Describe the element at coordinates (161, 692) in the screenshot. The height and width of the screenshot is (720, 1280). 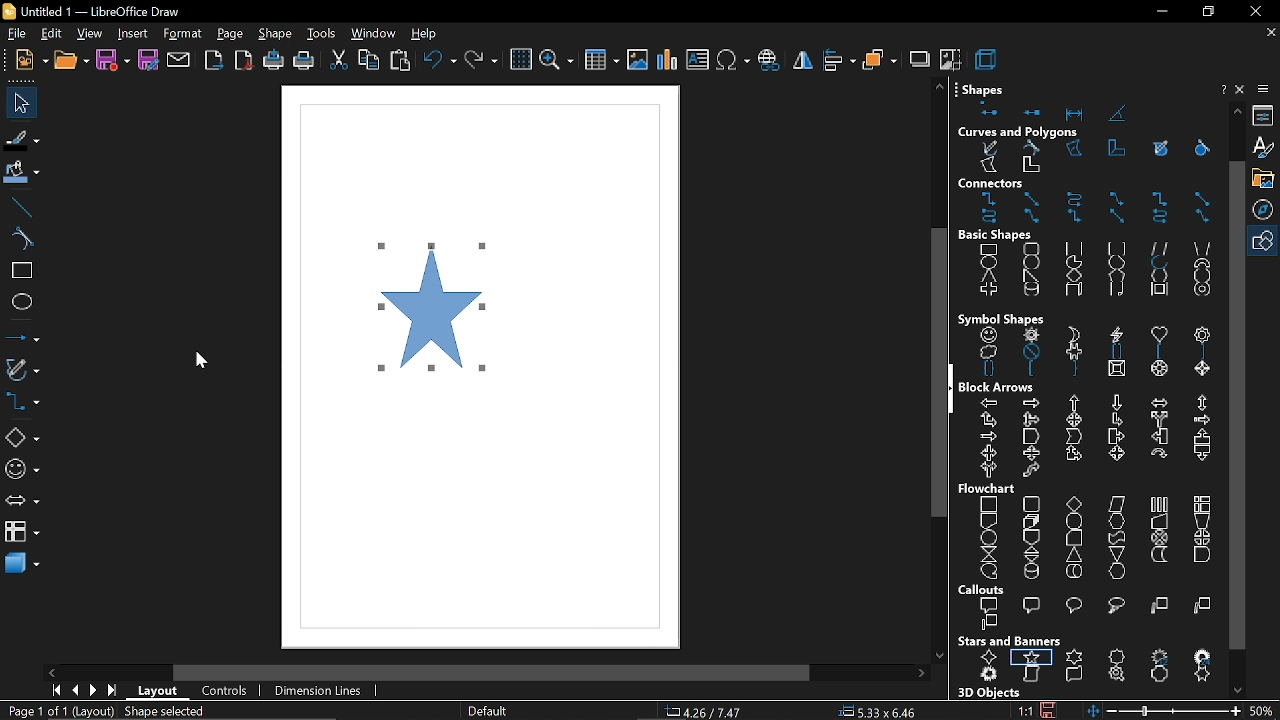
I see `layout` at that location.